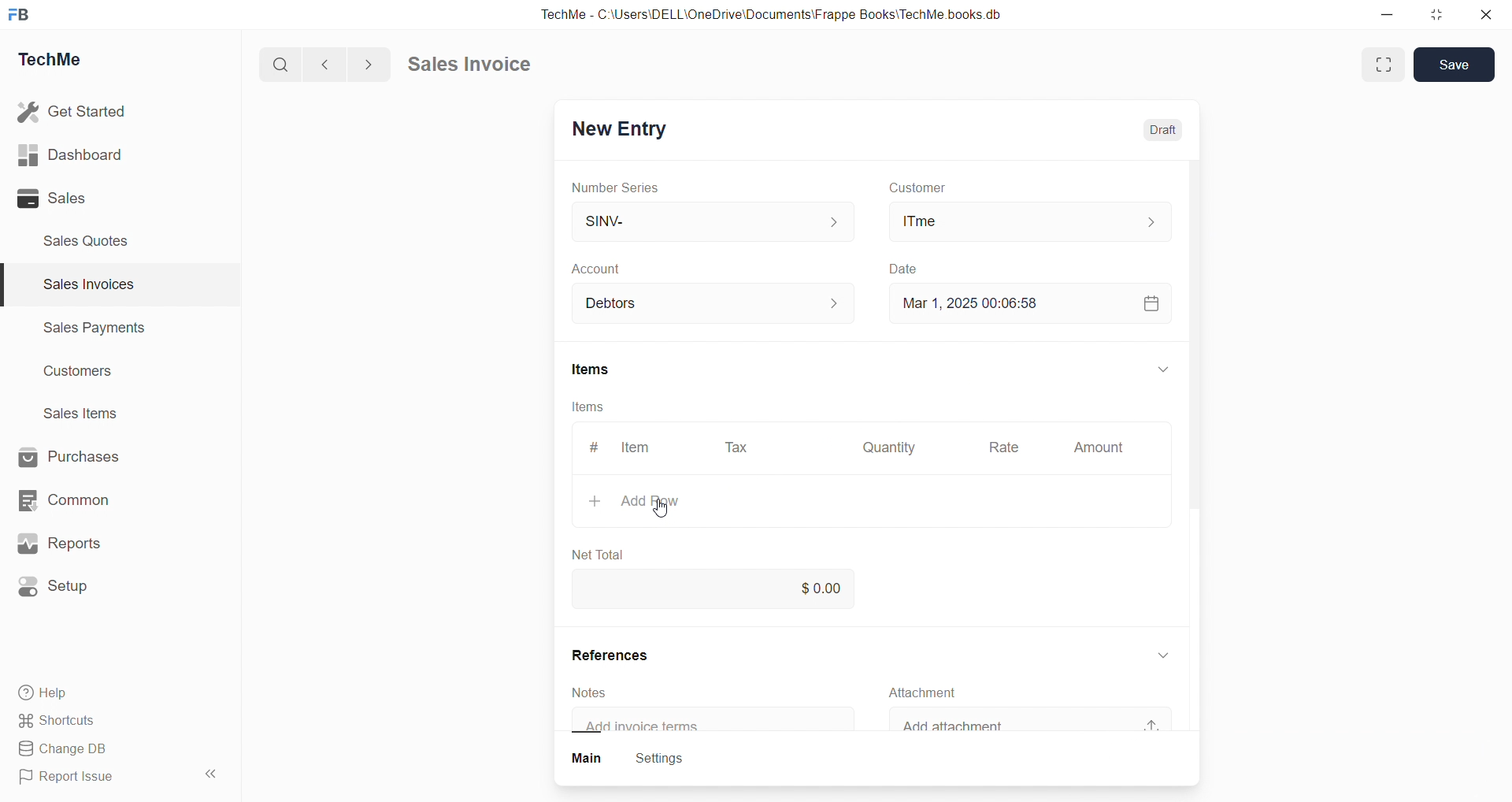 The width and height of the screenshot is (1512, 802). I want to click on Maximize, so click(1443, 13).